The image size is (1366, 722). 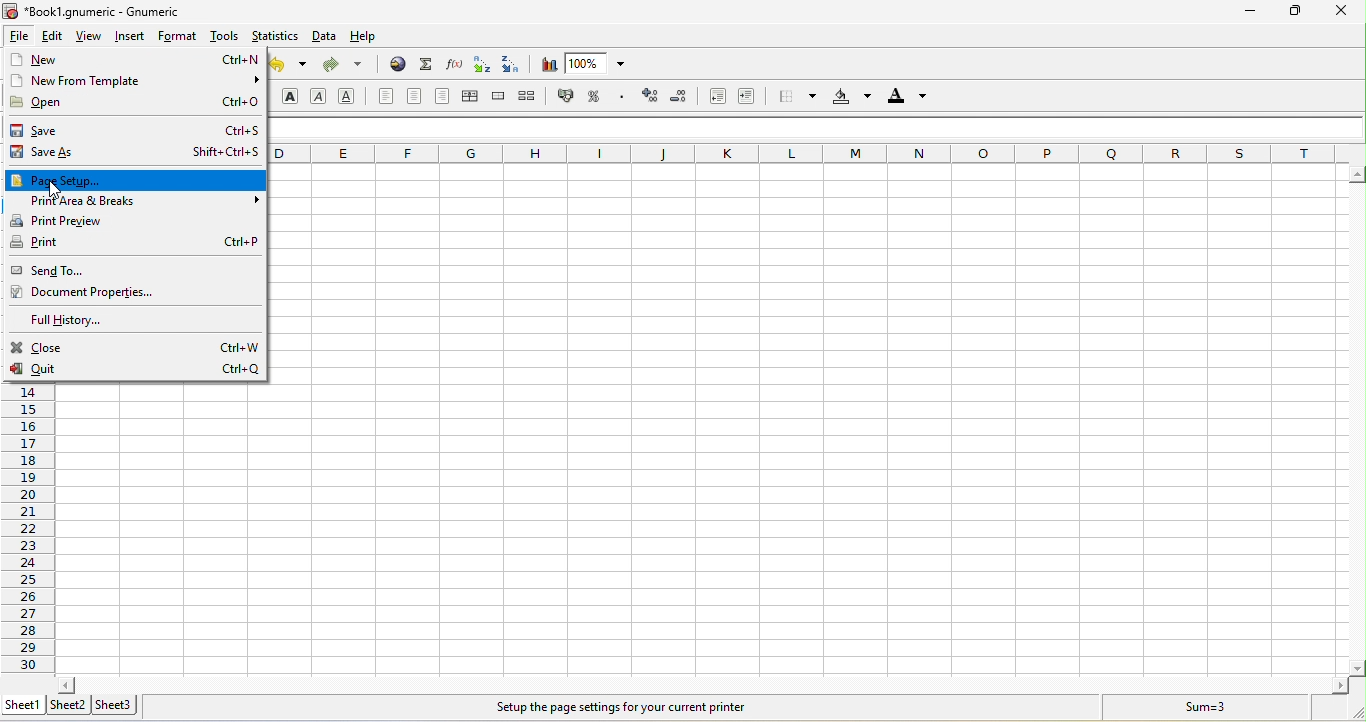 What do you see at coordinates (135, 179) in the screenshot?
I see `page set up` at bounding box center [135, 179].